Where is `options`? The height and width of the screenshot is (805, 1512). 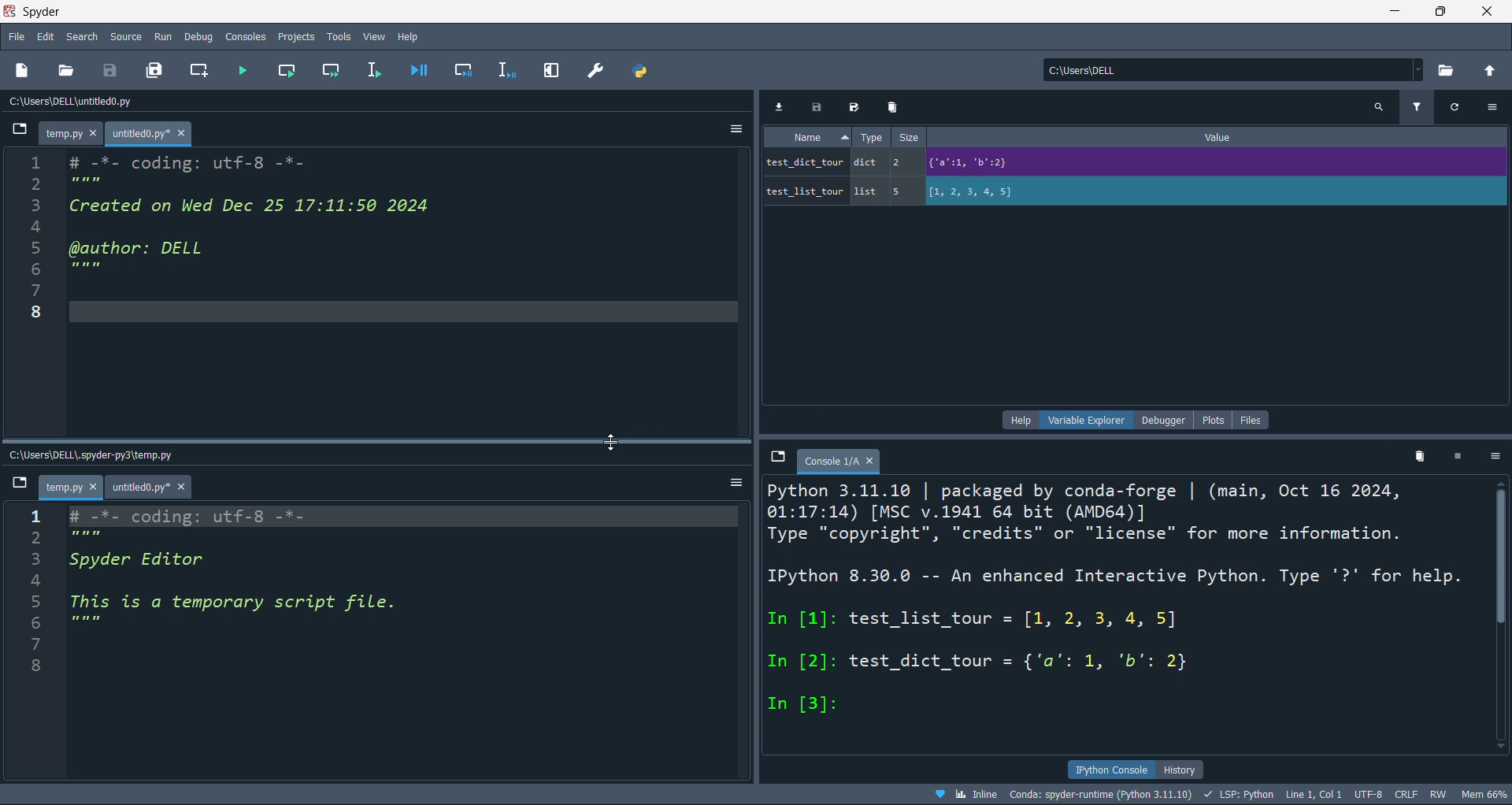
options is located at coordinates (1495, 108).